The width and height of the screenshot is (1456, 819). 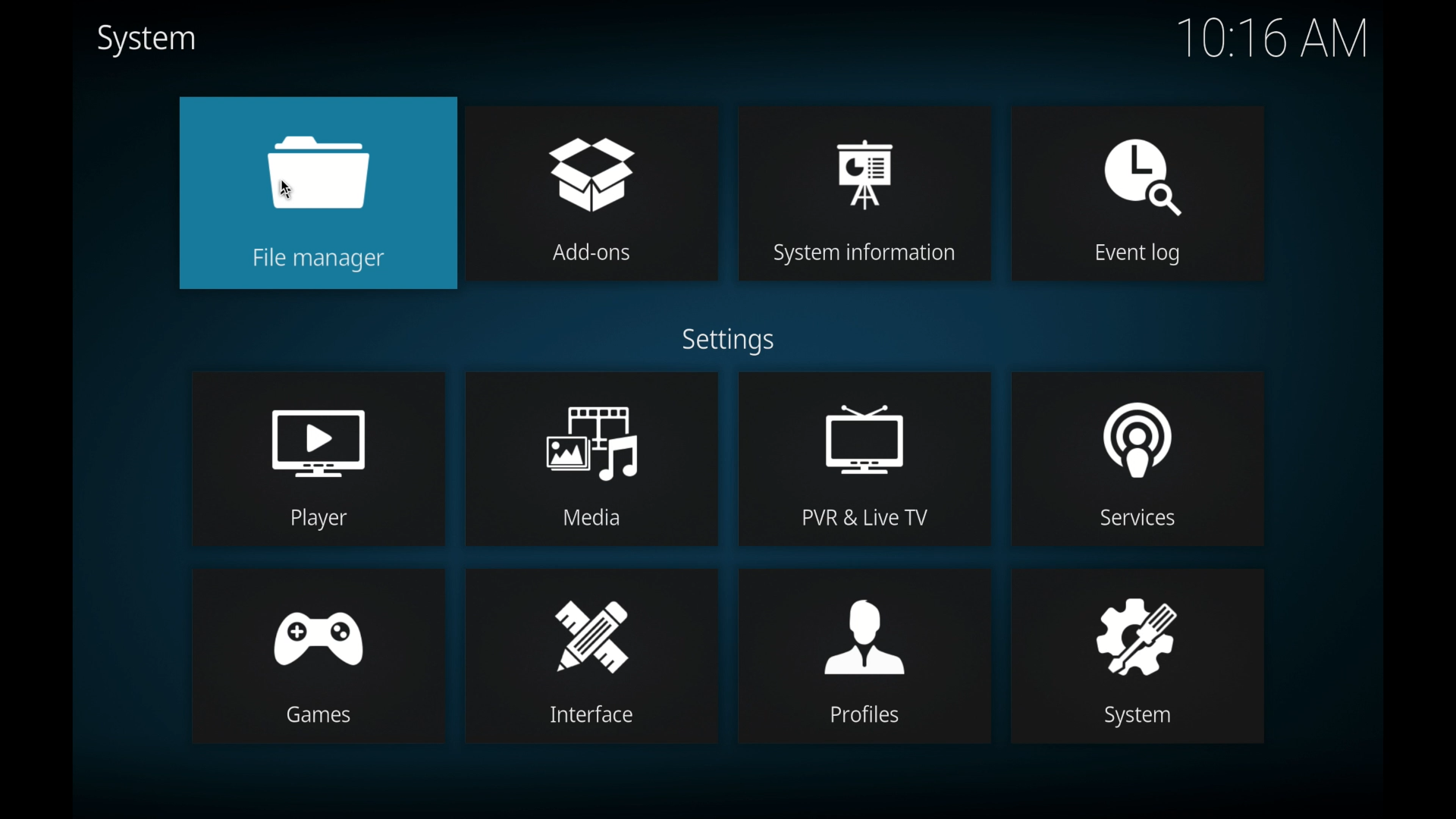 I want to click on games, so click(x=318, y=654).